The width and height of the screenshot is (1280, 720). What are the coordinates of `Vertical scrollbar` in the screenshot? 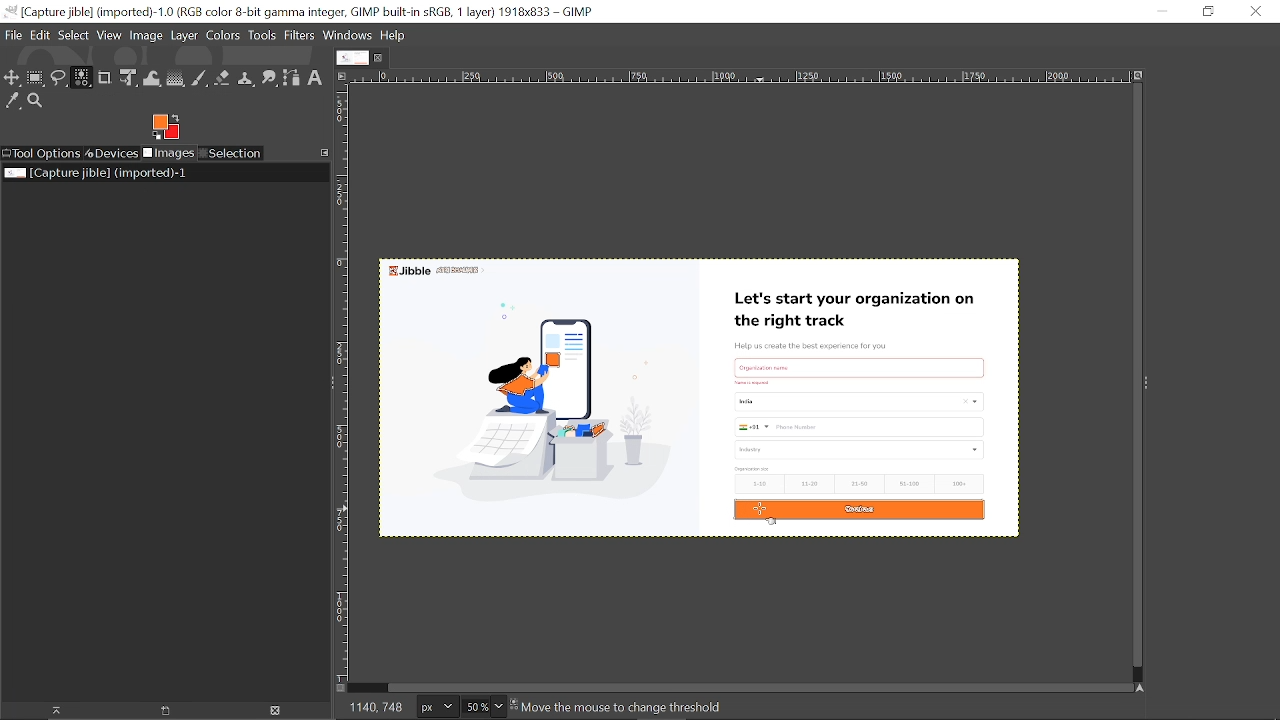 It's located at (1133, 377).